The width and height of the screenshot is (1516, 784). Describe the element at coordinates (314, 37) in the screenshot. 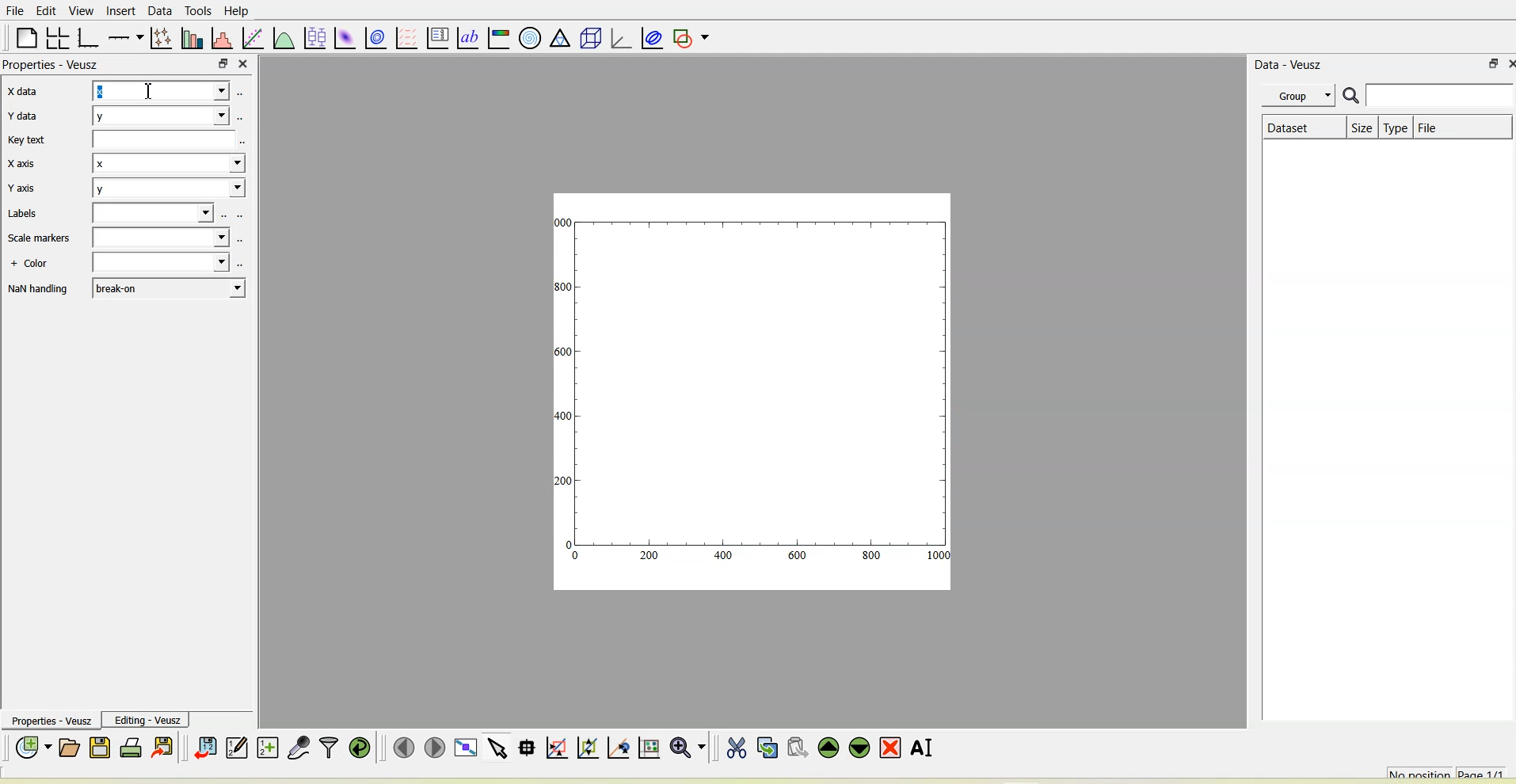

I see `plot box plots` at that location.